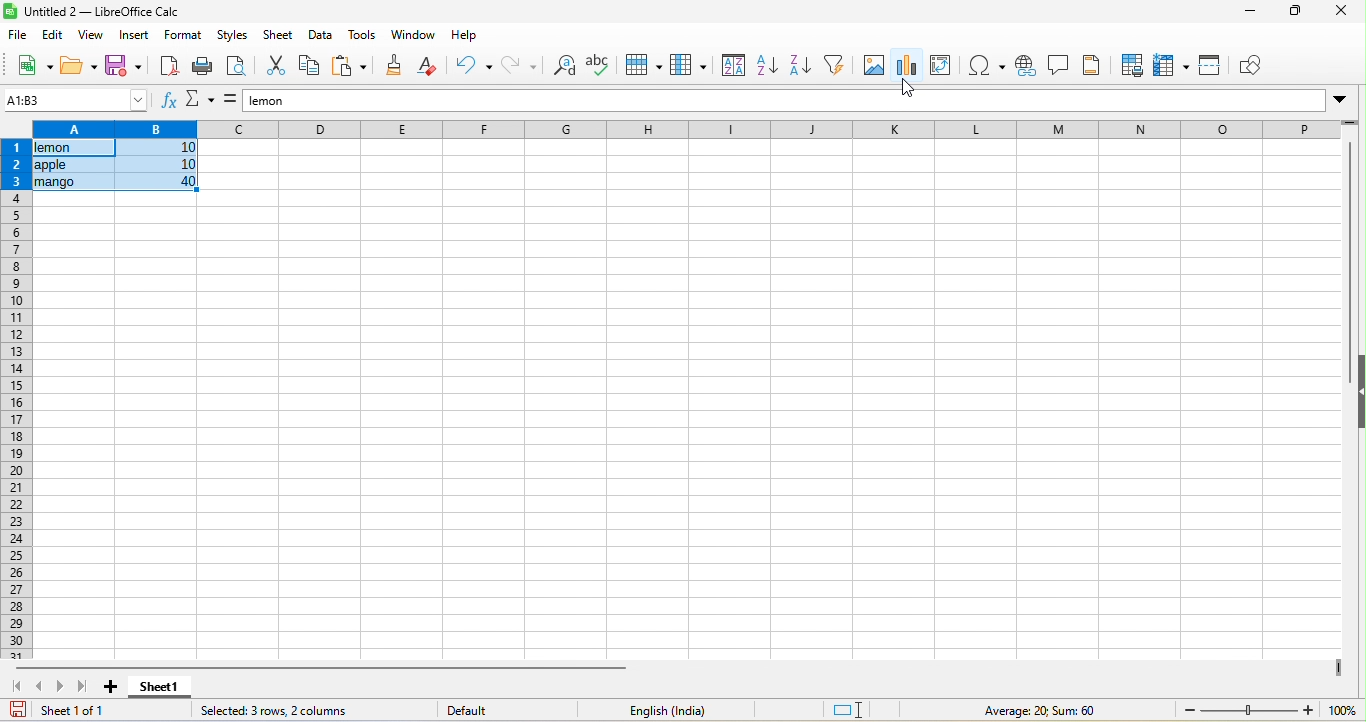 This screenshot has height=722, width=1366. Describe the element at coordinates (835, 68) in the screenshot. I see `auto filter` at that location.